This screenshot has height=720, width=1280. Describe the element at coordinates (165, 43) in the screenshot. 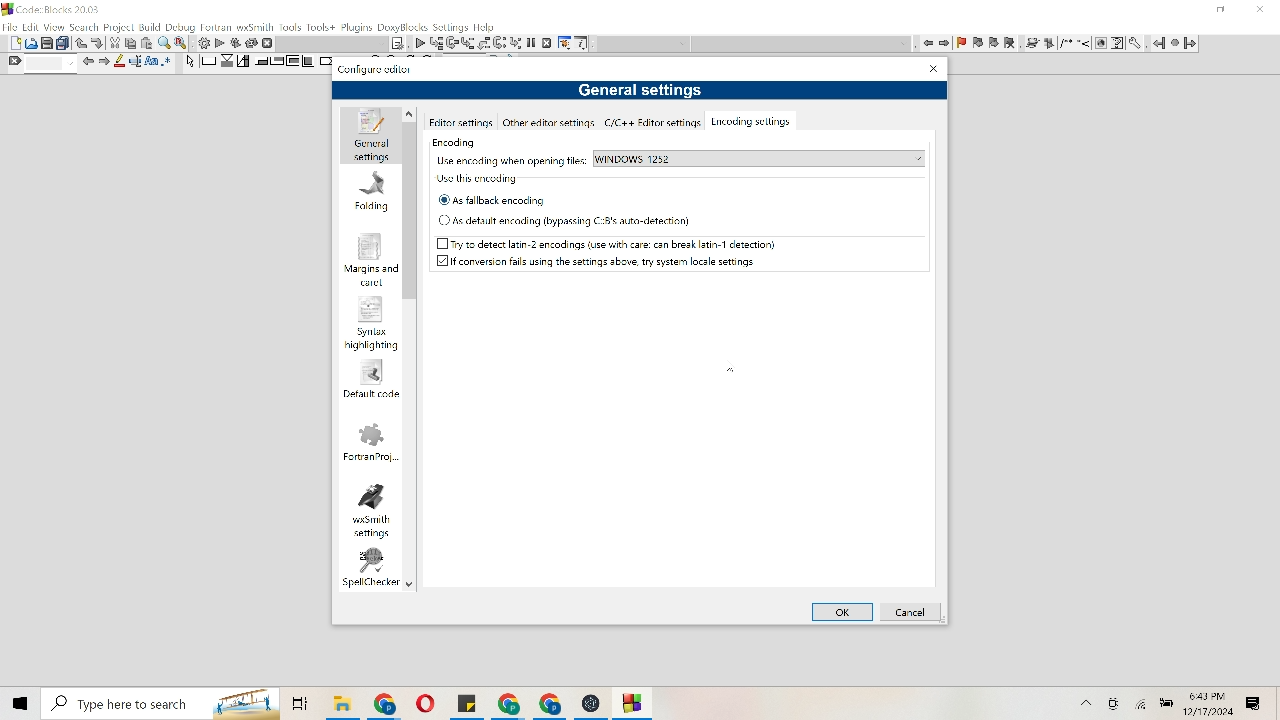

I see `Find` at that location.